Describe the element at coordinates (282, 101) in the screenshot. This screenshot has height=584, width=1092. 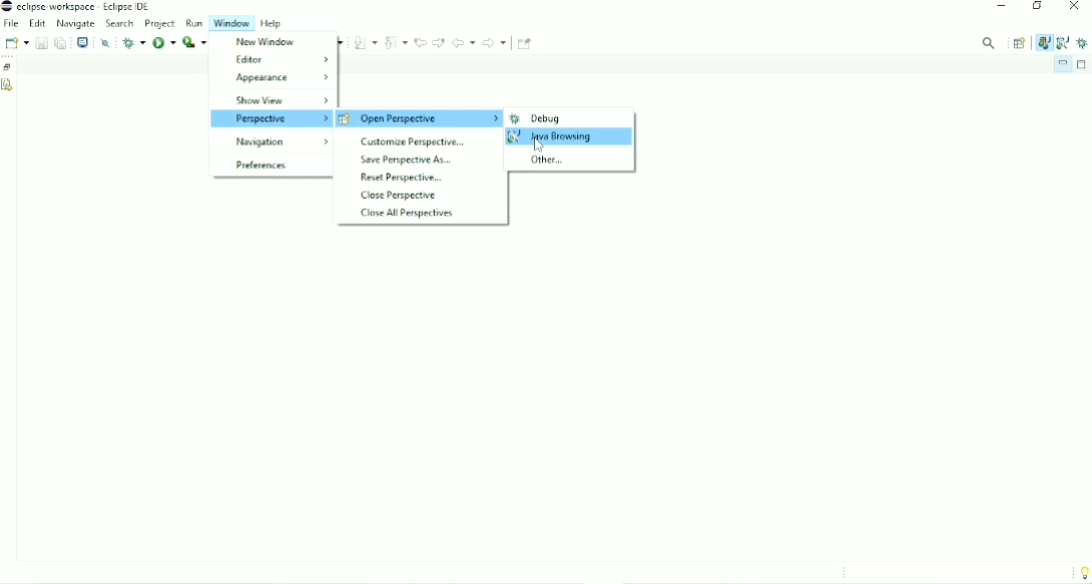
I see `Show View` at that location.